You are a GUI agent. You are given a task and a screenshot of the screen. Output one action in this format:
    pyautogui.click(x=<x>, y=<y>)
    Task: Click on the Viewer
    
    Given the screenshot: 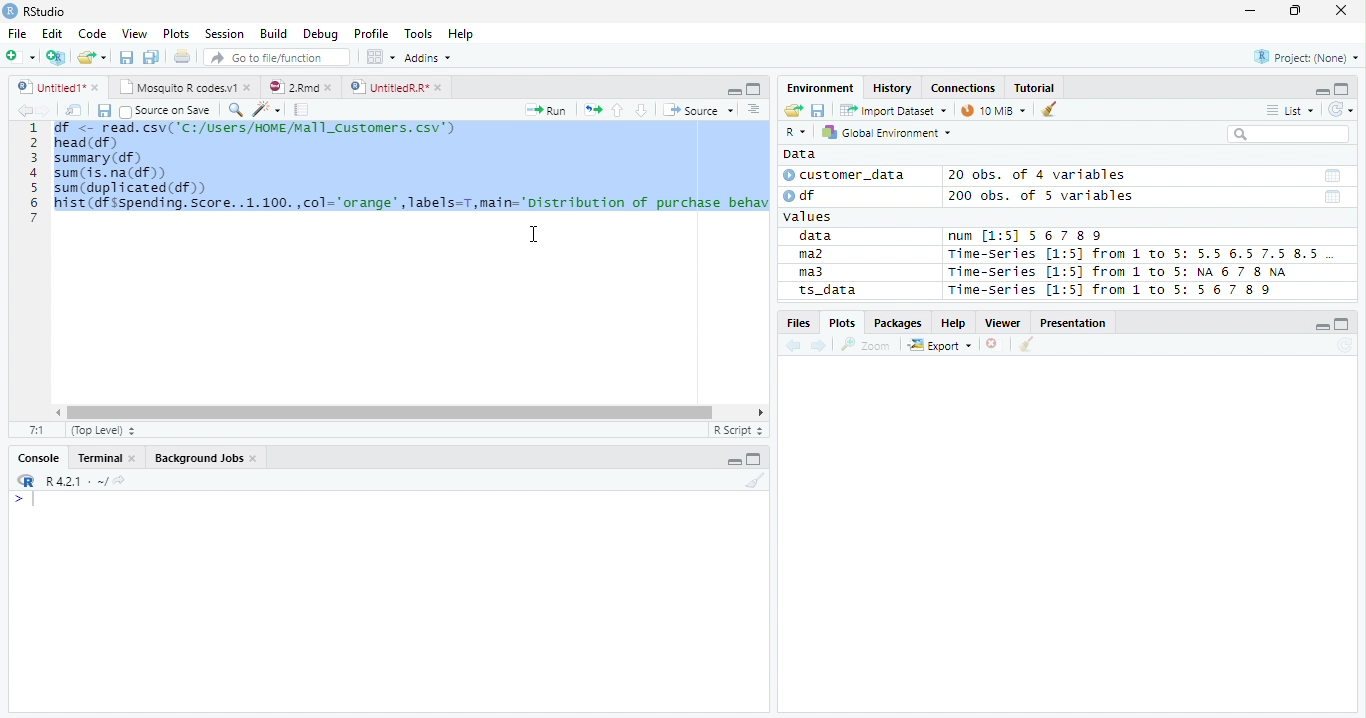 What is the action you would take?
    pyautogui.click(x=1006, y=323)
    